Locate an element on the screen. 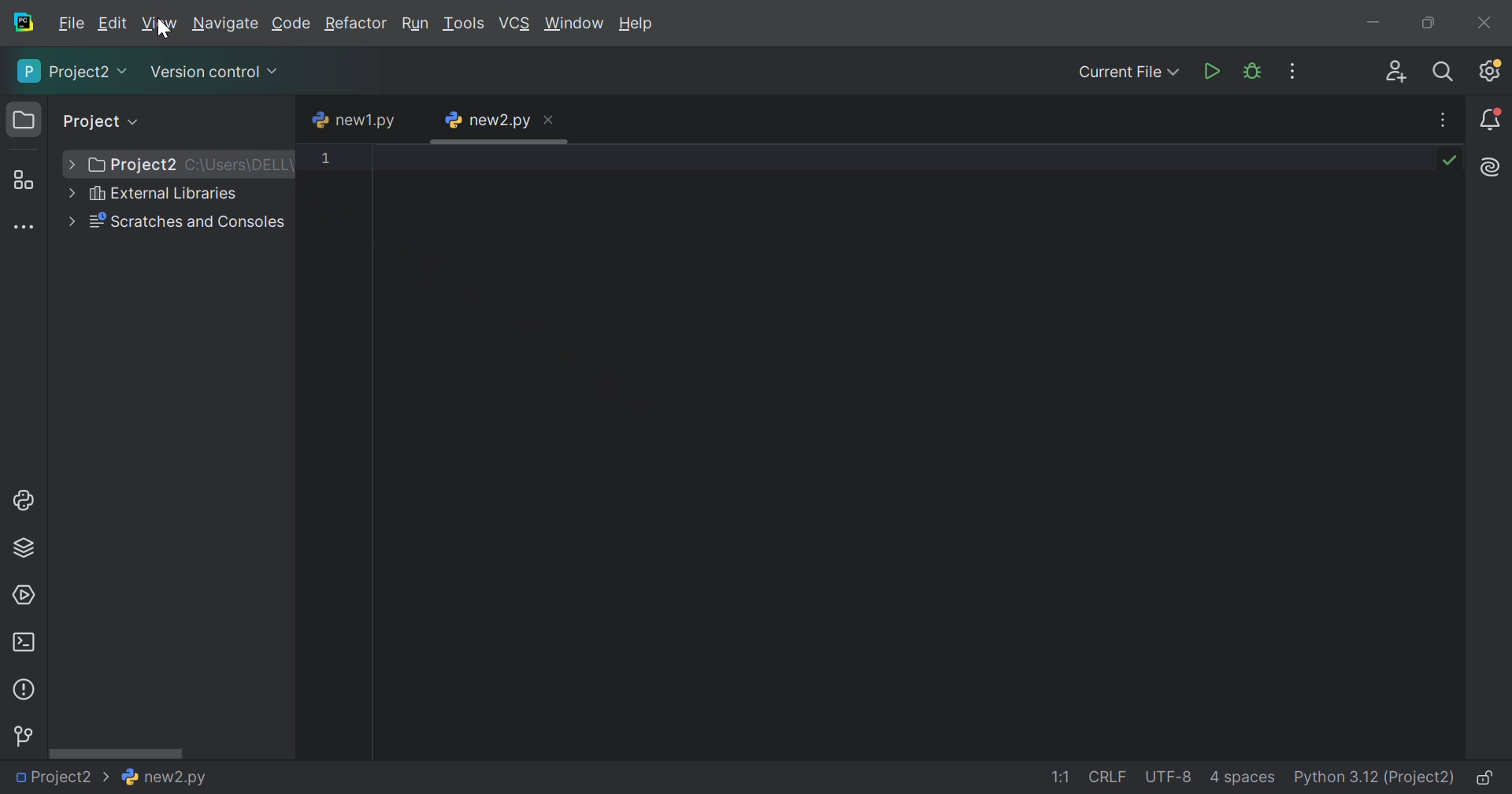 The height and width of the screenshot is (794, 1512). Services is located at coordinates (24, 595).